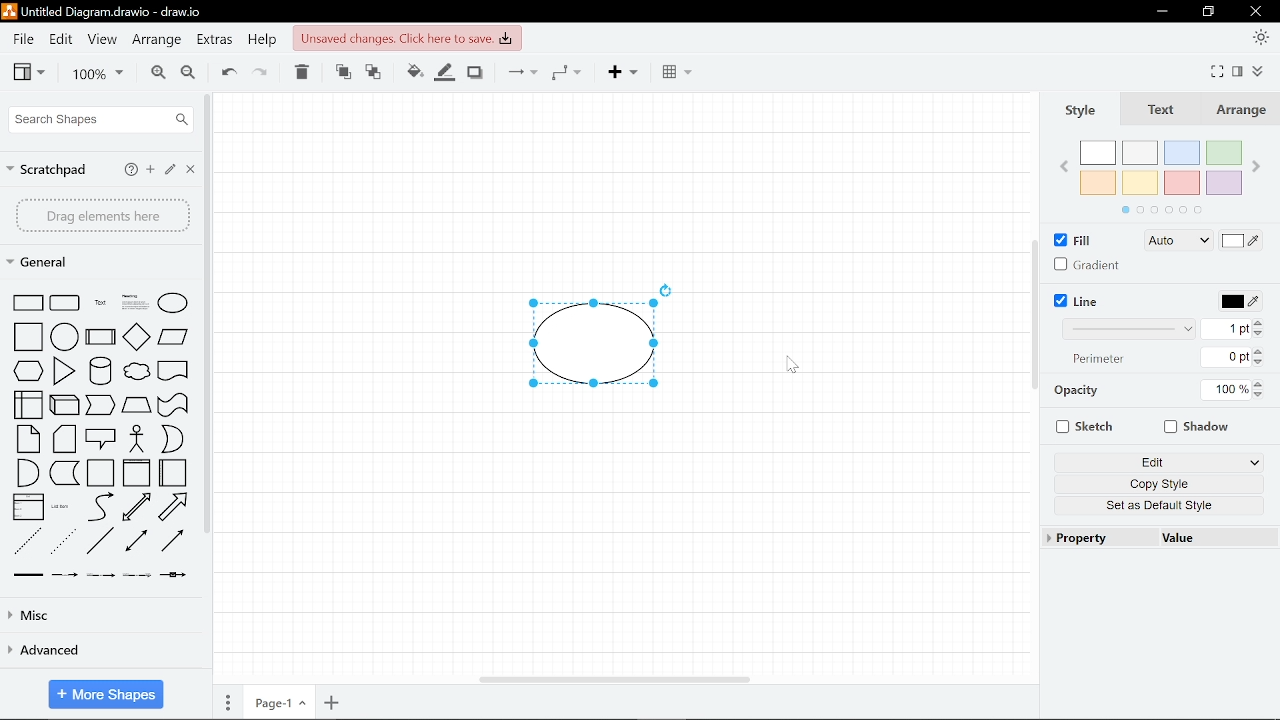 The width and height of the screenshot is (1280, 720). What do you see at coordinates (334, 702) in the screenshot?
I see `Add page` at bounding box center [334, 702].